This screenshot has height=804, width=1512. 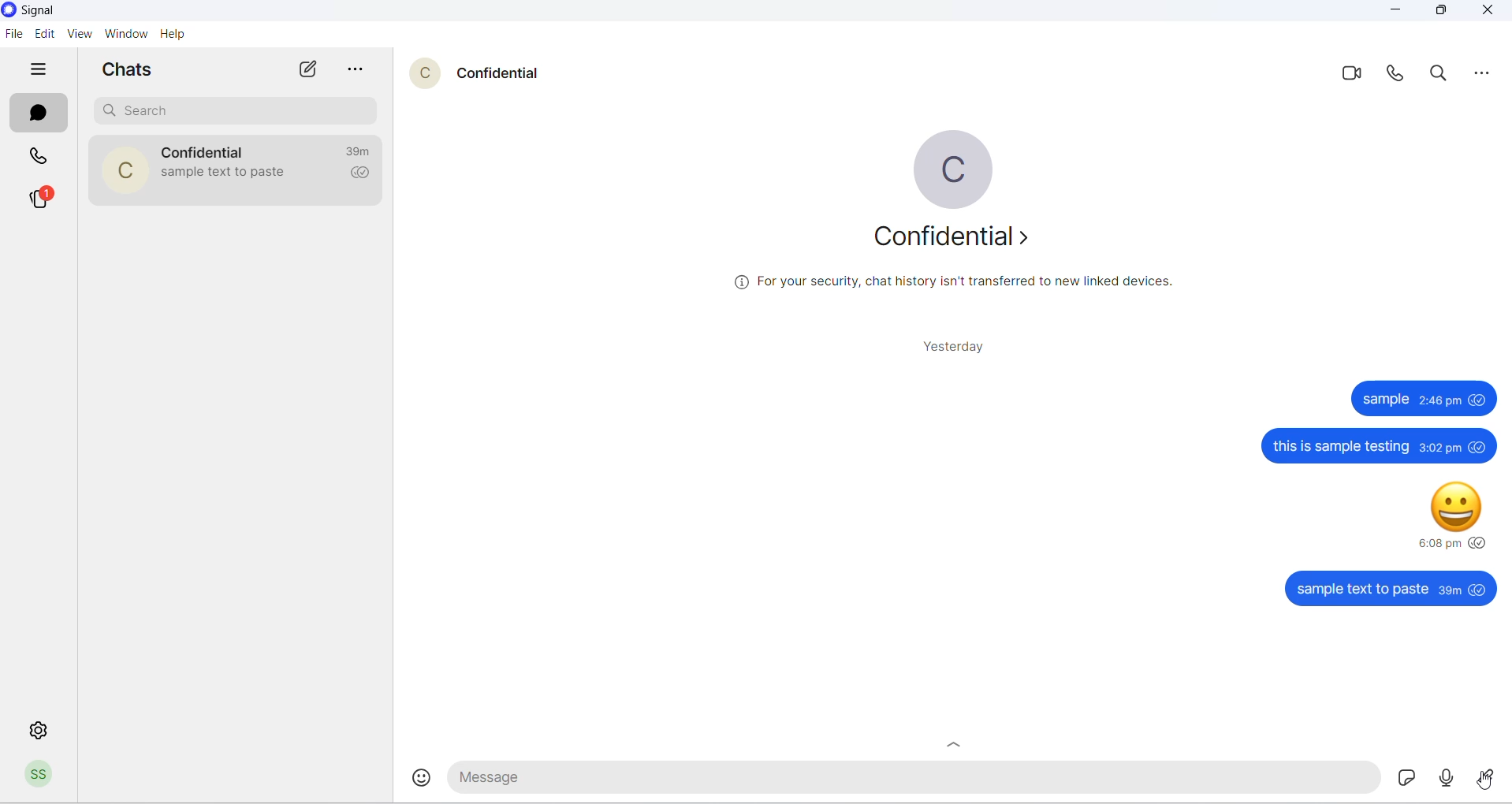 I want to click on sample, so click(x=1386, y=399).